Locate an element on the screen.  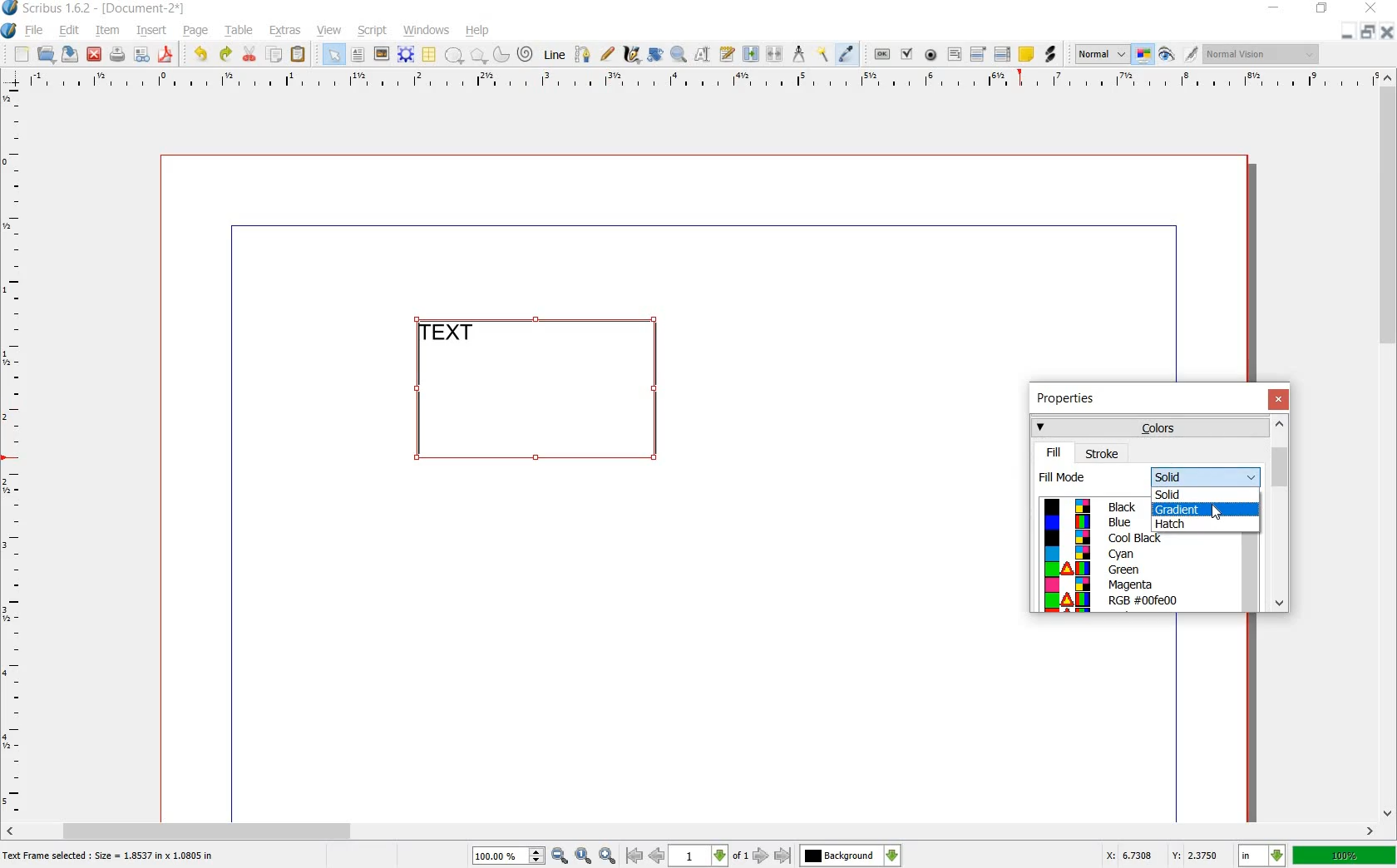
line is located at coordinates (556, 56).